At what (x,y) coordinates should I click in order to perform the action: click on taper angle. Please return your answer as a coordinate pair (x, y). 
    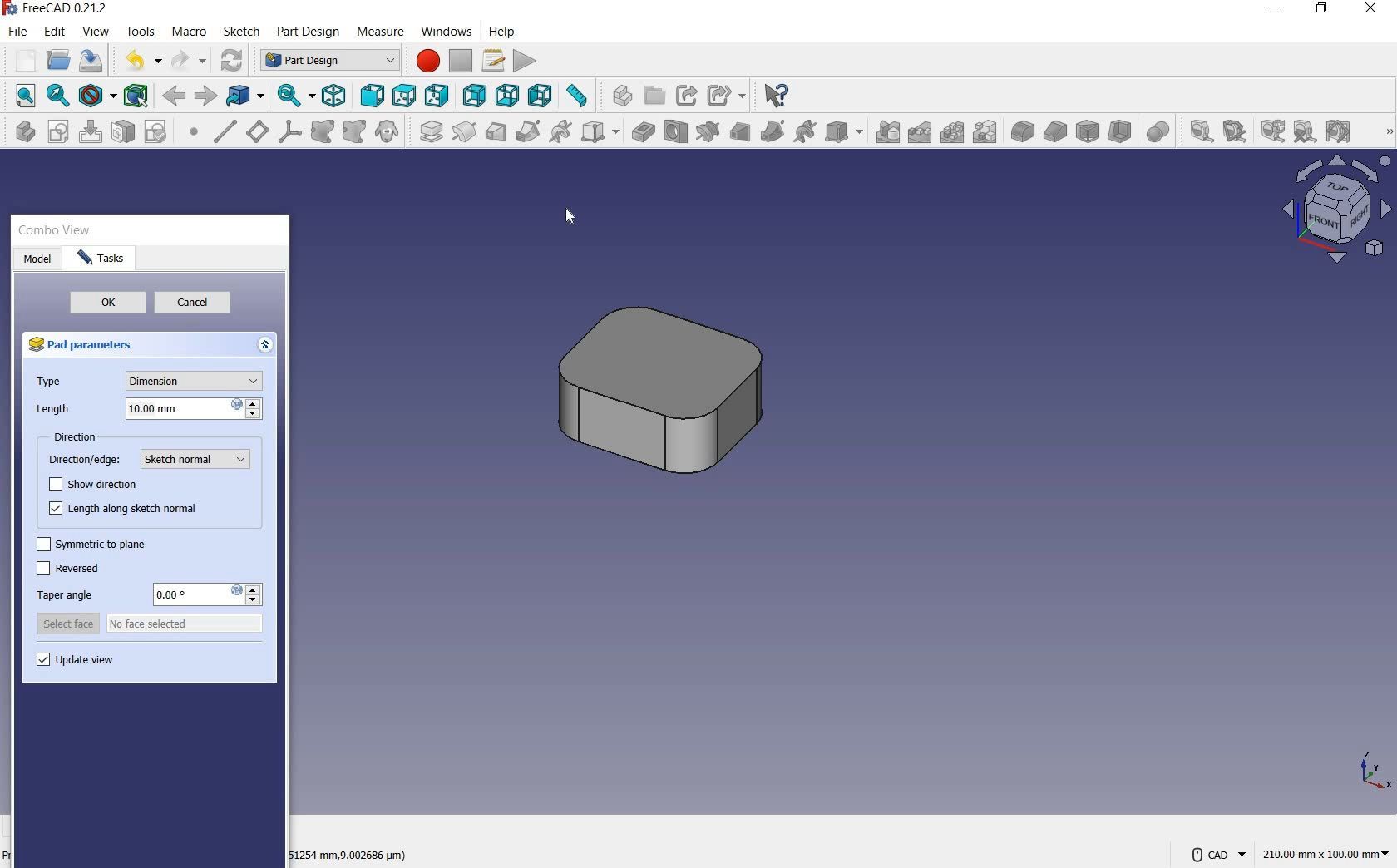
    Looking at the image, I should click on (147, 595).